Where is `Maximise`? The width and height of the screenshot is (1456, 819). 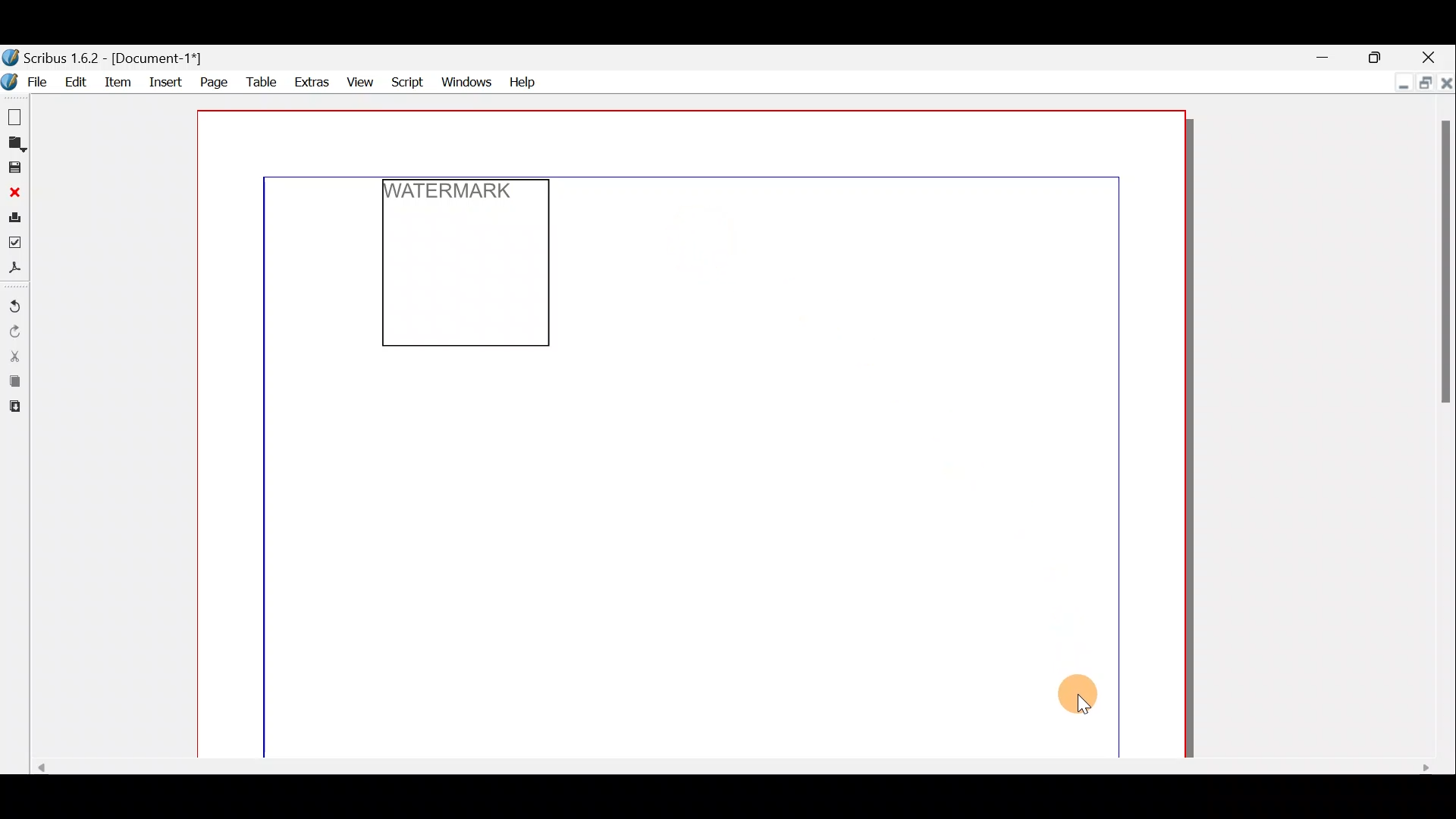 Maximise is located at coordinates (1423, 81).